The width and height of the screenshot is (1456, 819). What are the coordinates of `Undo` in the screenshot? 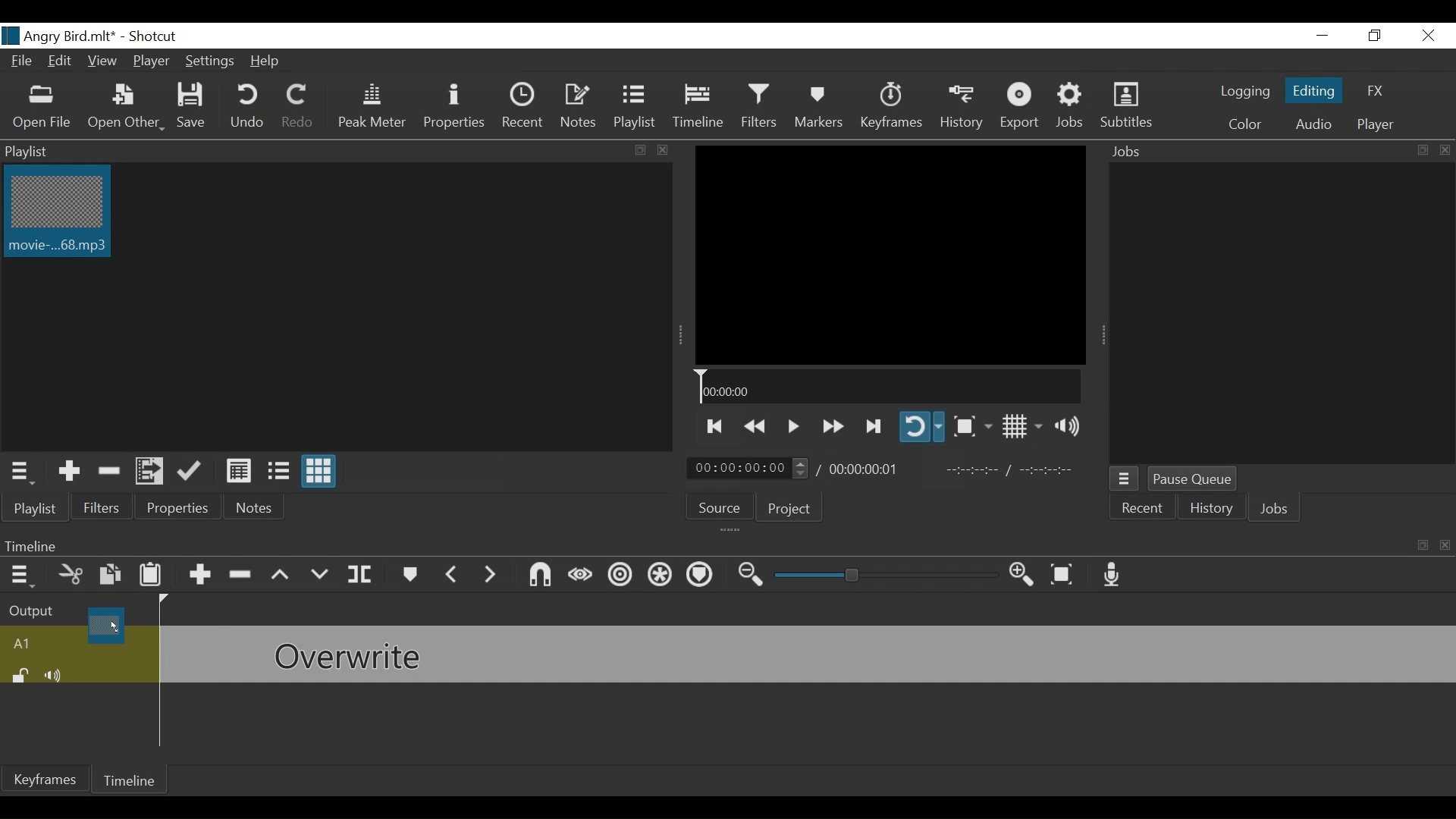 It's located at (247, 107).